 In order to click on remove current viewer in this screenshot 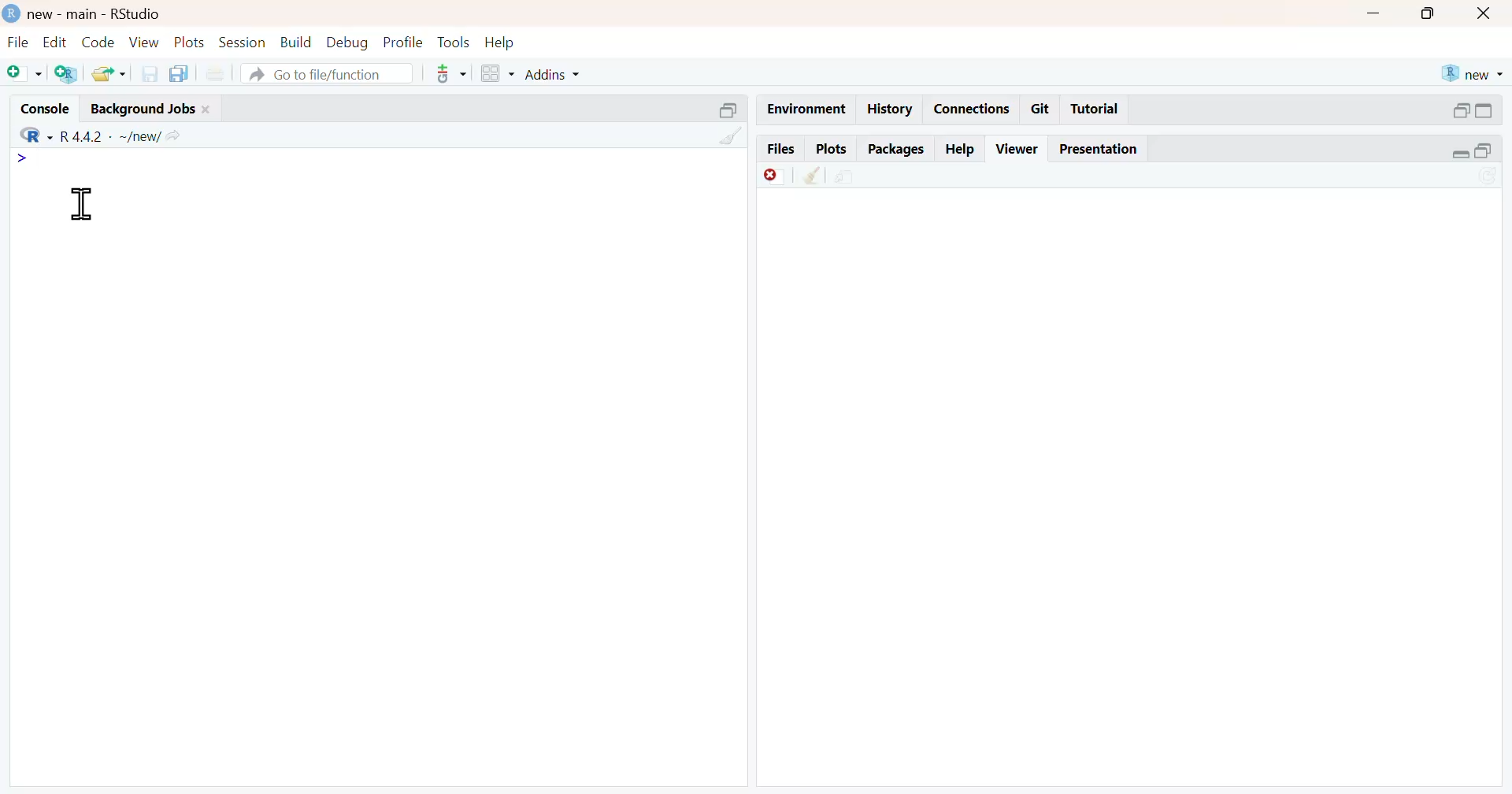, I will do `click(771, 177)`.